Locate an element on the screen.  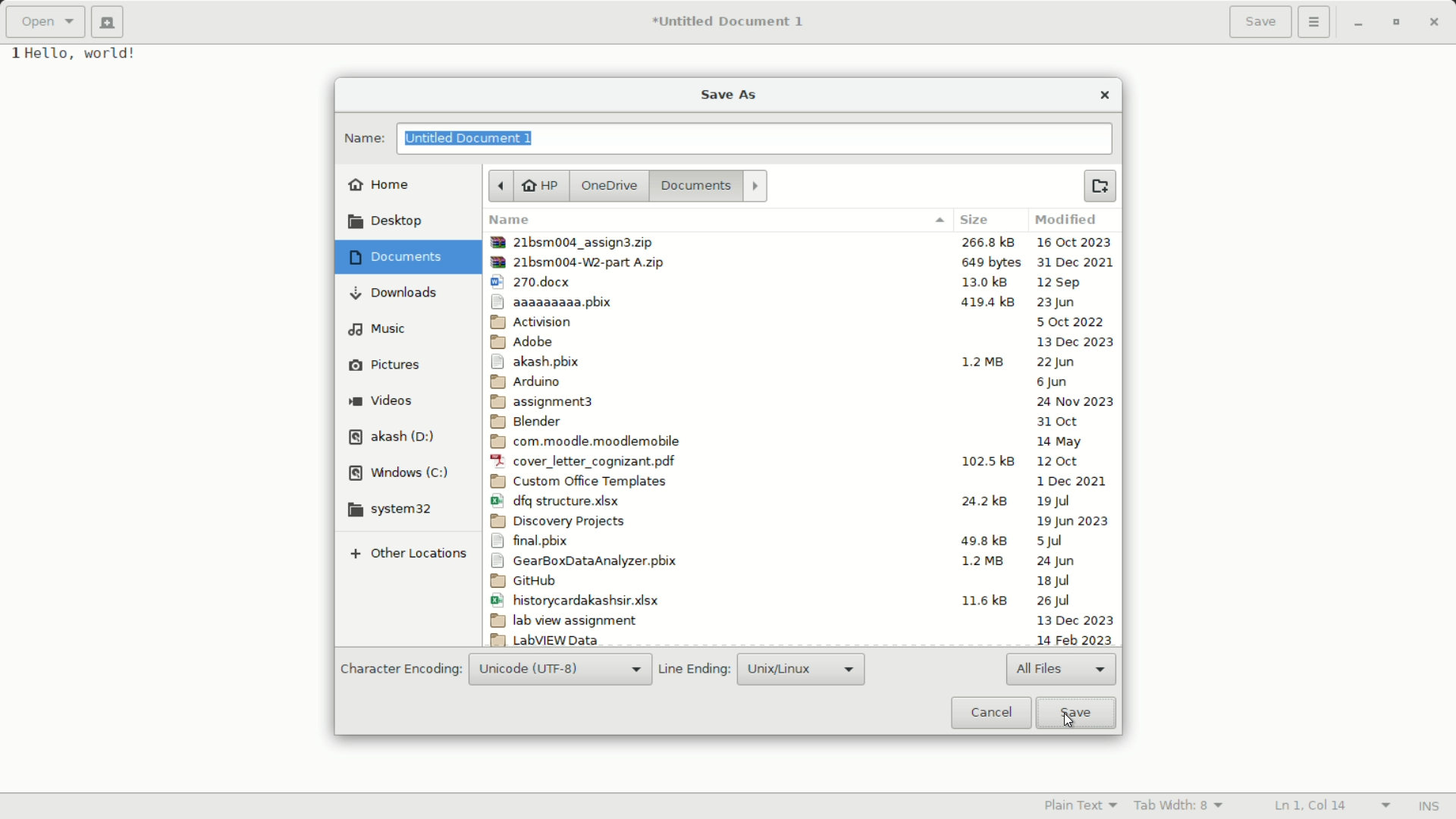
character encoding is located at coordinates (399, 670).